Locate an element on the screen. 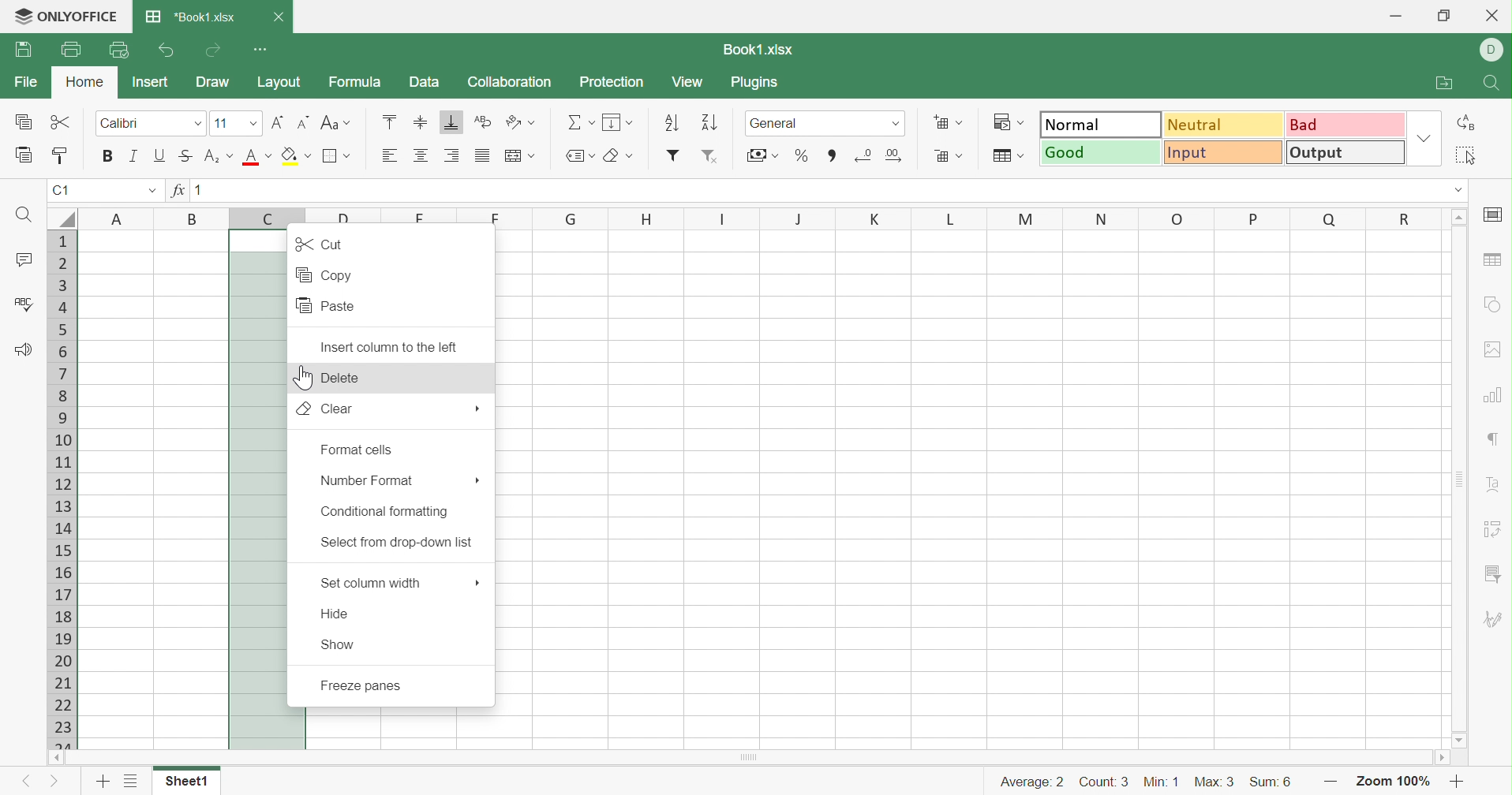 The image size is (1512, 795). Minimize is located at coordinates (1394, 15).